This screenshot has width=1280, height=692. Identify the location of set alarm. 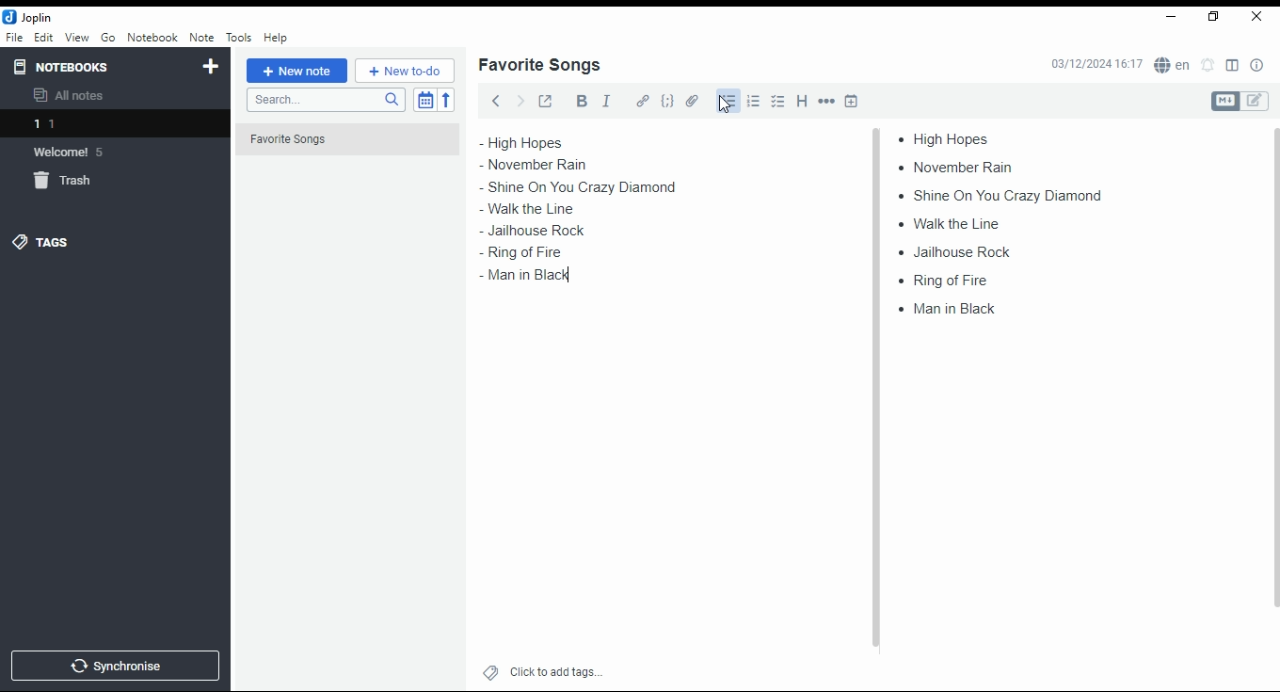
(1209, 65).